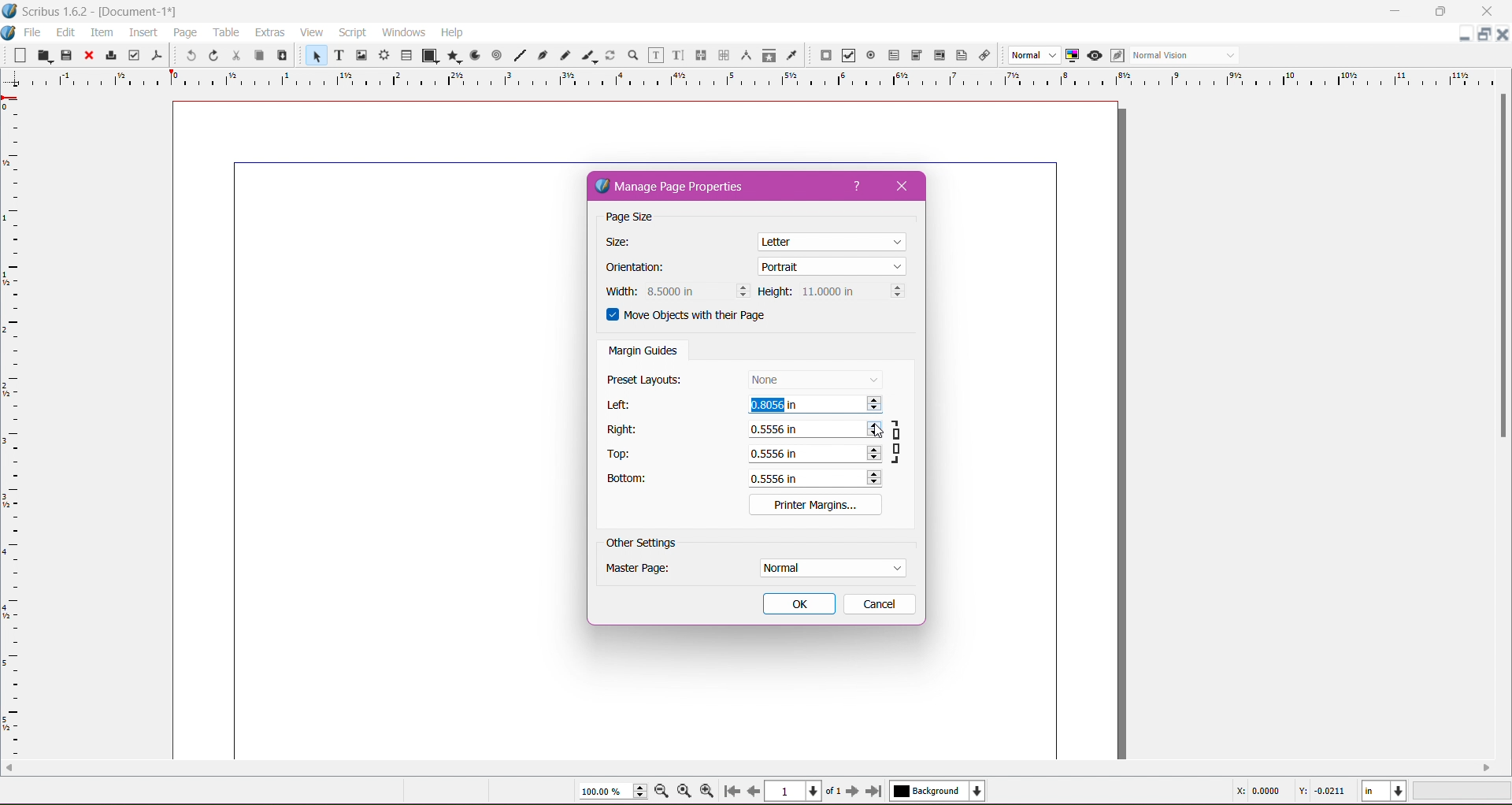 The width and height of the screenshot is (1512, 805). What do you see at coordinates (1117, 56) in the screenshot?
I see `Eidt in Preview mode` at bounding box center [1117, 56].